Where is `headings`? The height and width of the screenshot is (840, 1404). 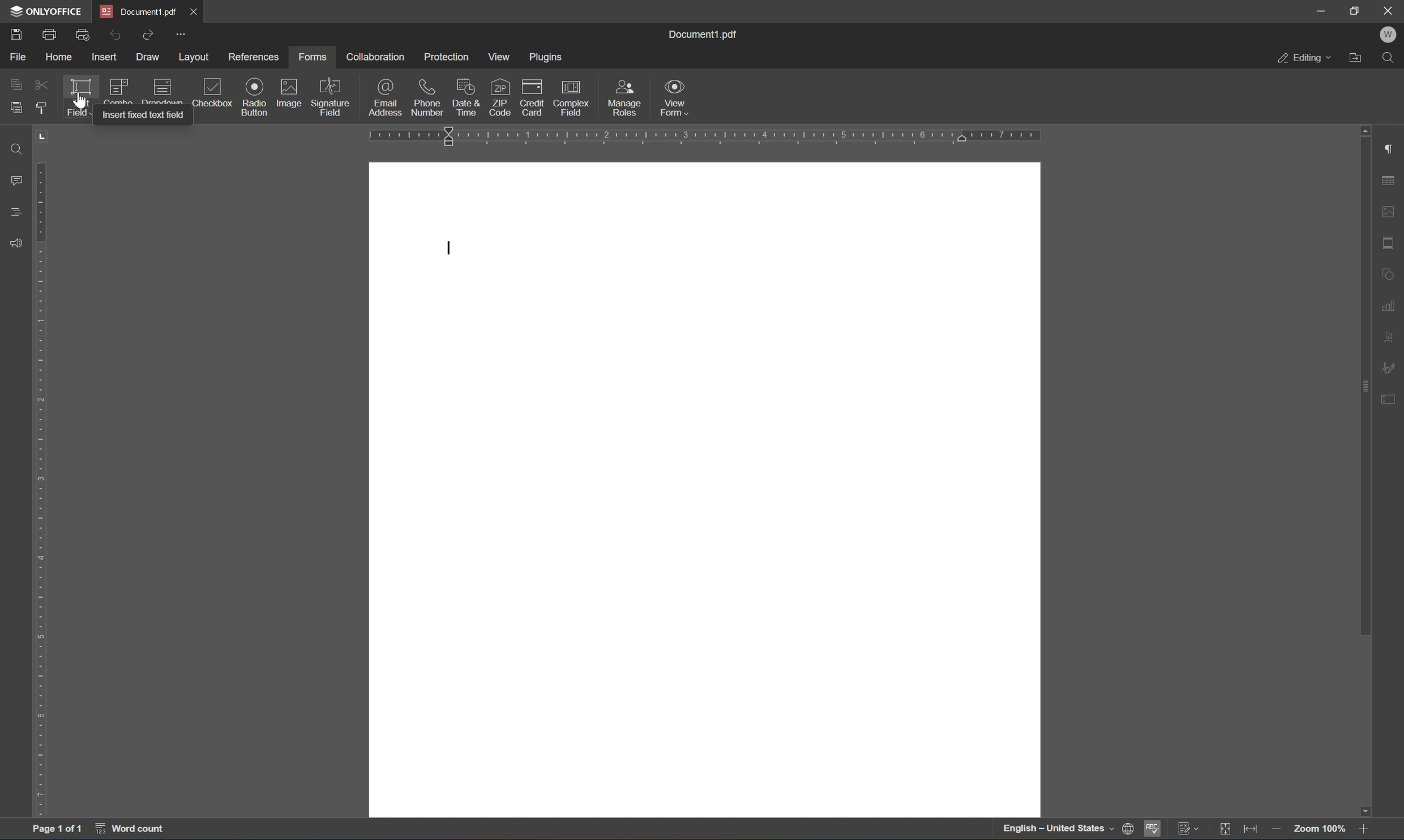
headings is located at coordinates (16, 216).